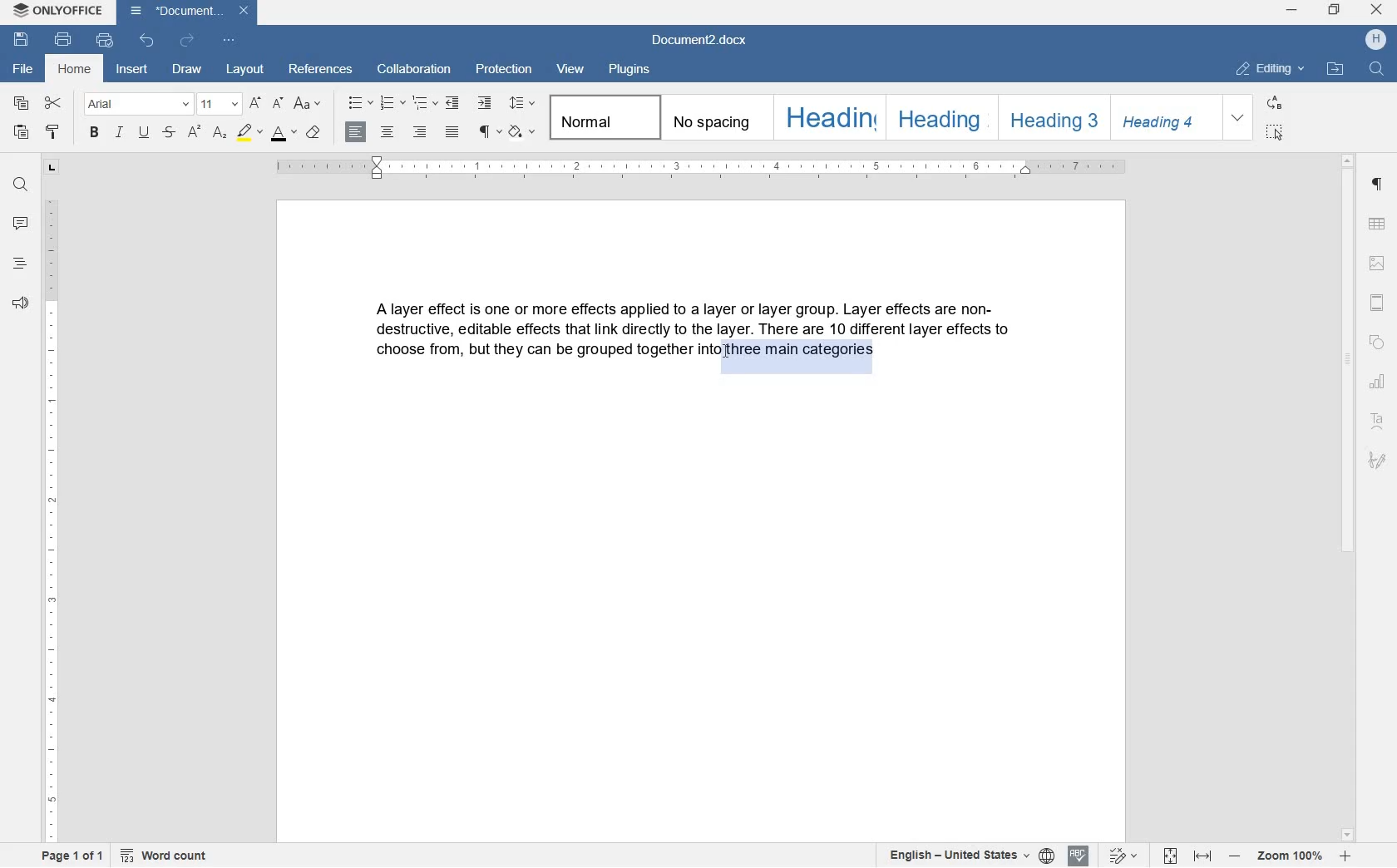 The height and width of the screenshot is (868, 1397). What do you see at coordinates (1289, 857) in the screenshot?
I see `zoom in or out` at bounding box center [1289, 857].